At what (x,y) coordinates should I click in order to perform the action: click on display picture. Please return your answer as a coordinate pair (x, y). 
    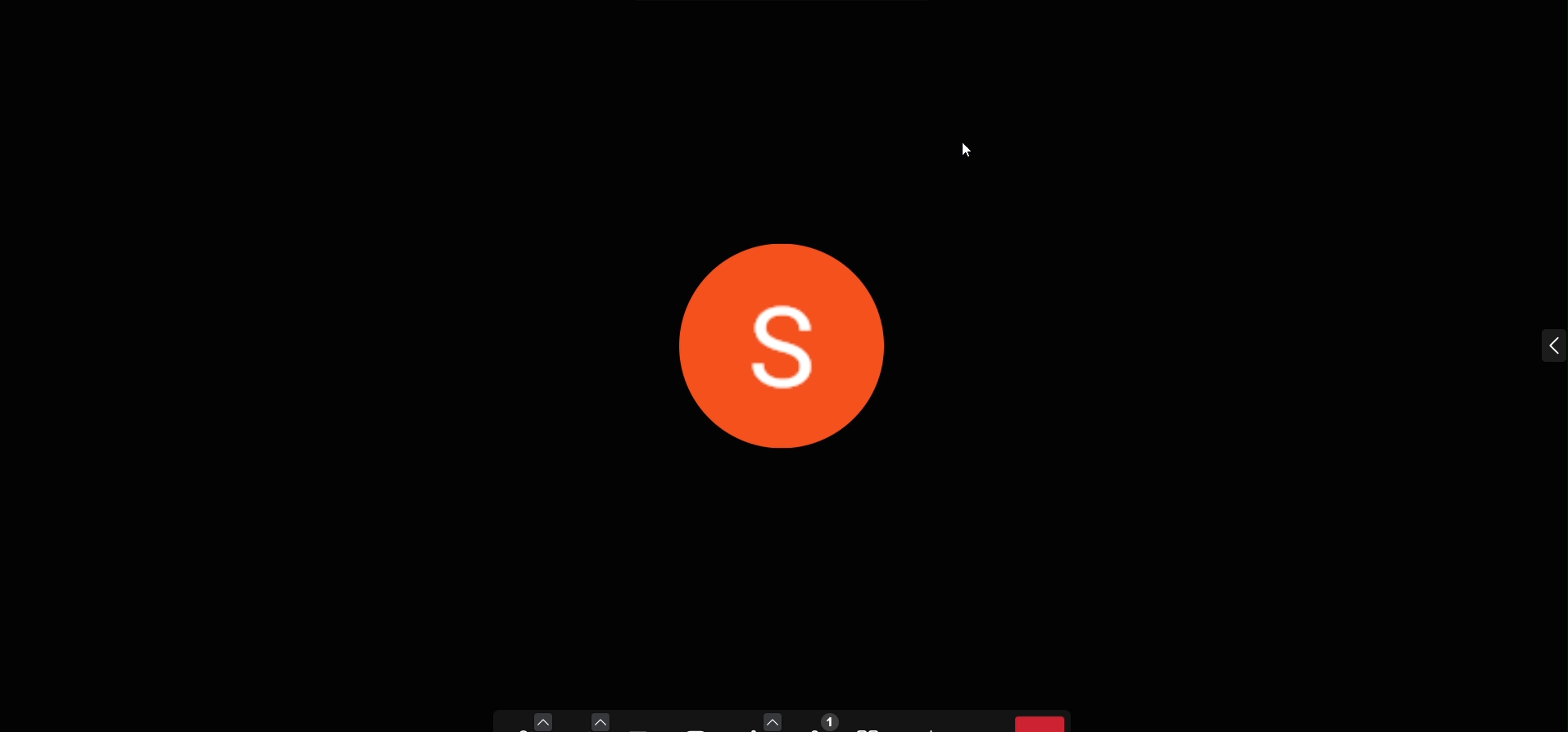
    Looking at the image, I should click on (783, 350).